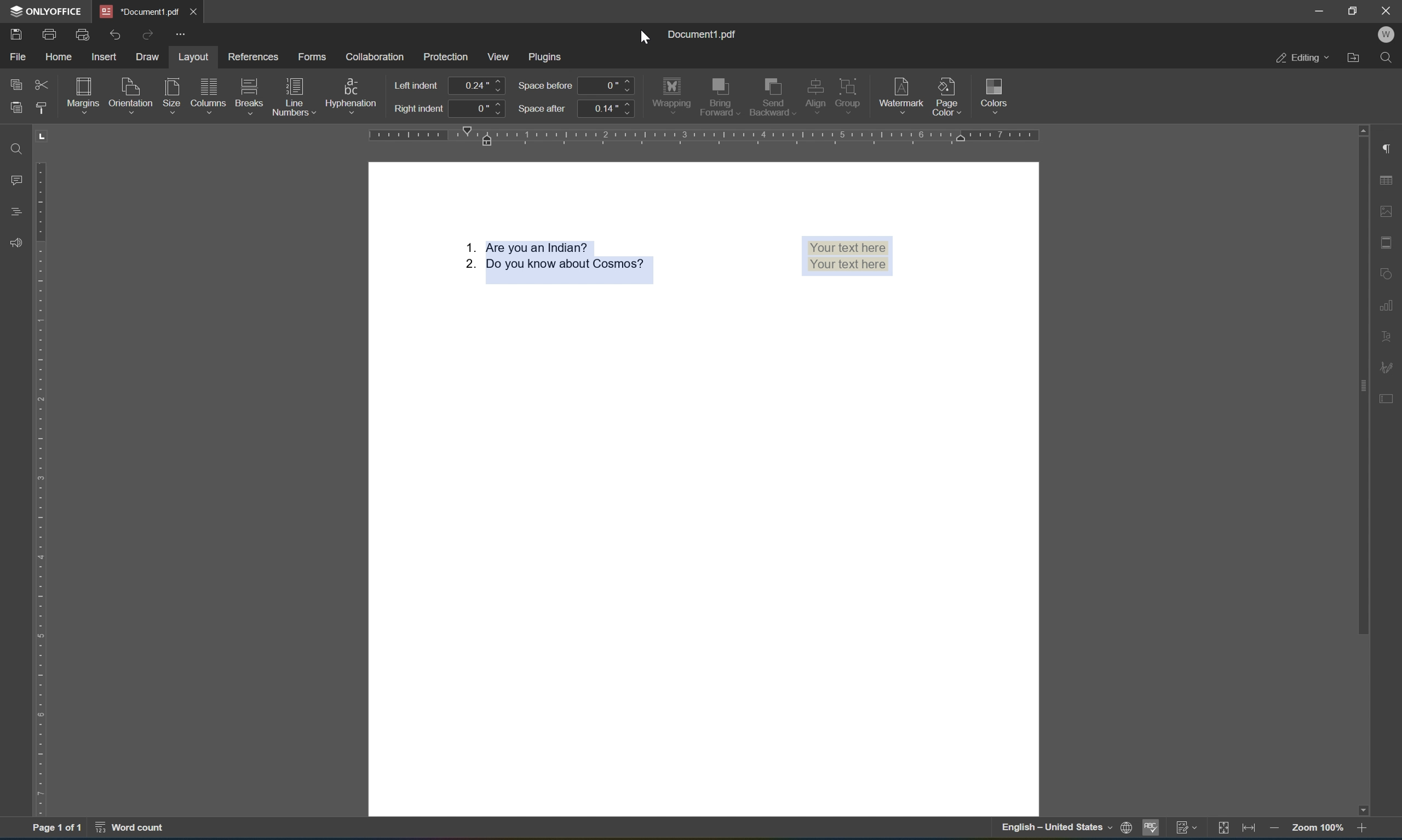 This screenshot has height=840, width=1402. Describe the element at coordinates (1152, 829) in the screenshot. I see `spell checking` at that location.